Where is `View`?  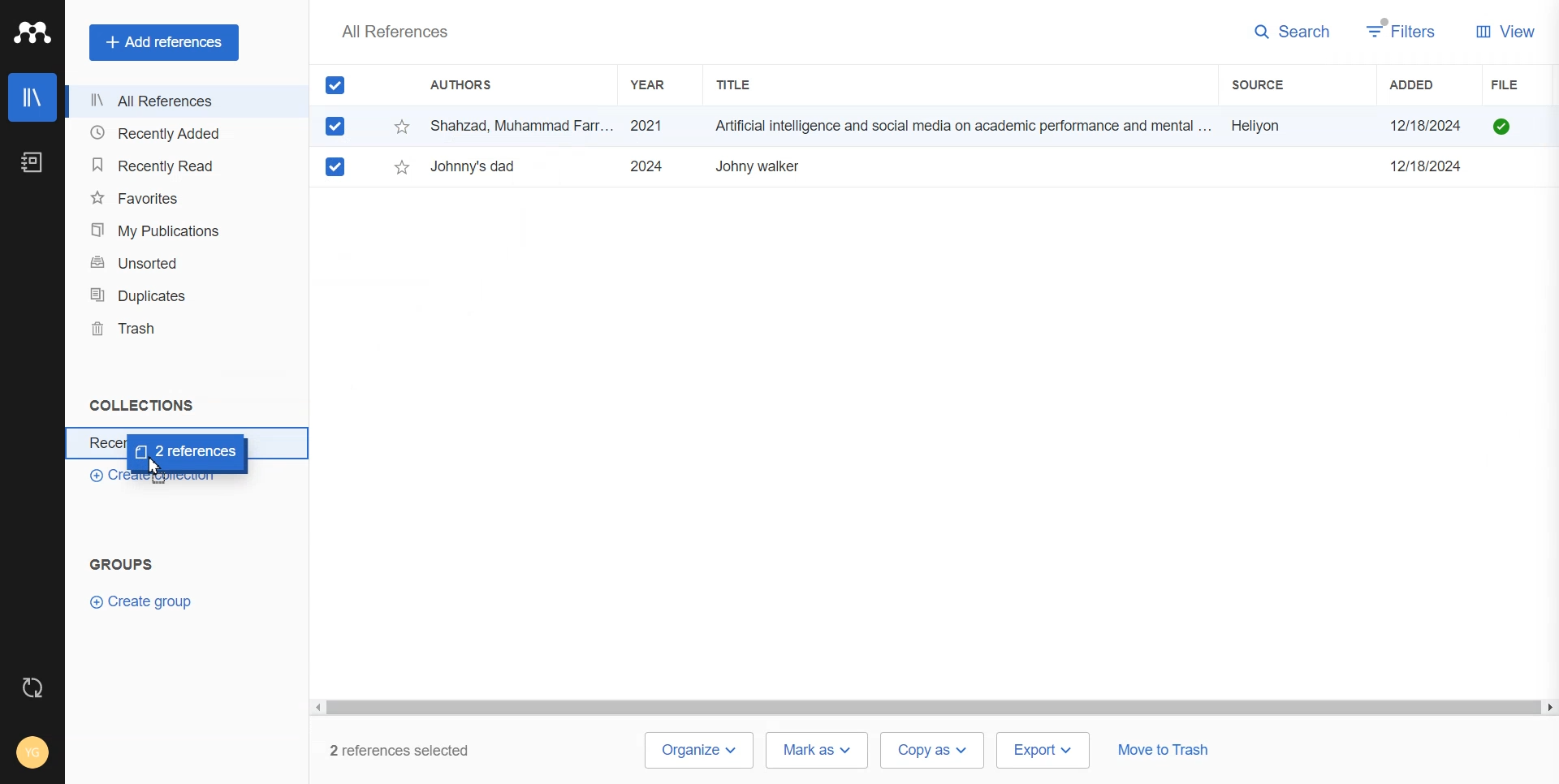 View is located at coordinates (1505, 30).